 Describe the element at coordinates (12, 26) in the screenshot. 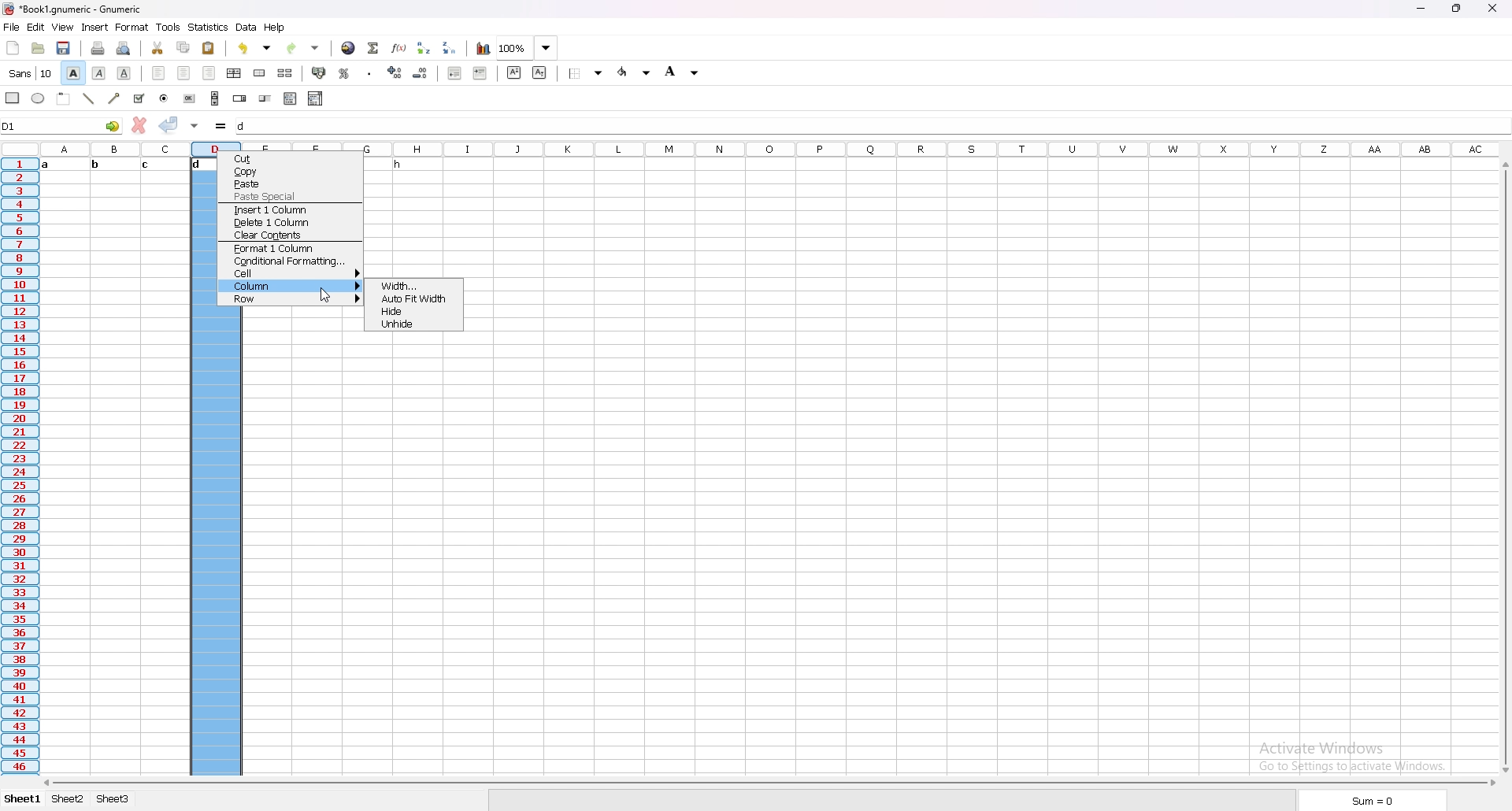

I see `file` at that location.